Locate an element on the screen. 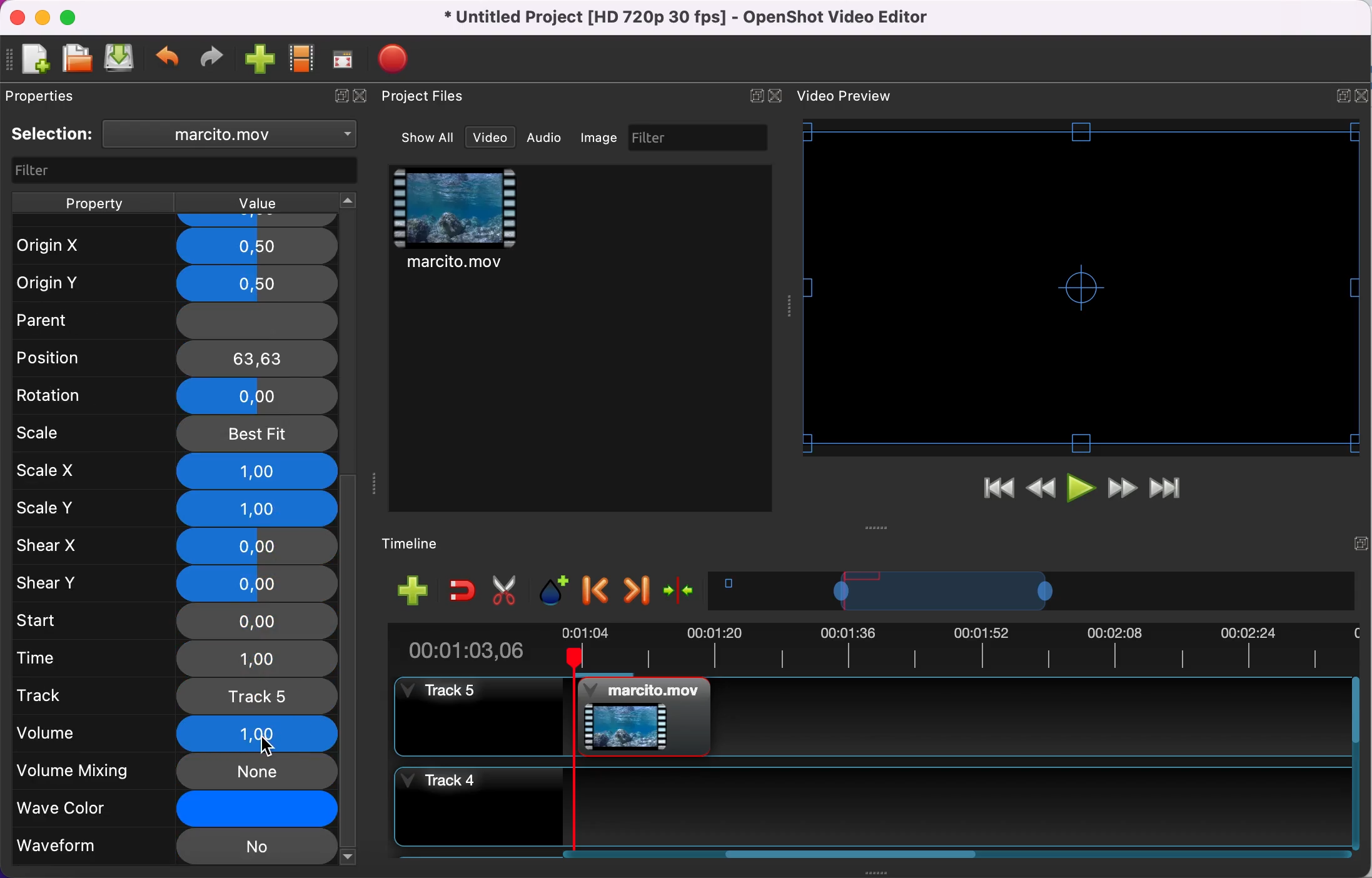  start 0 is located at coordinates (173, 622).